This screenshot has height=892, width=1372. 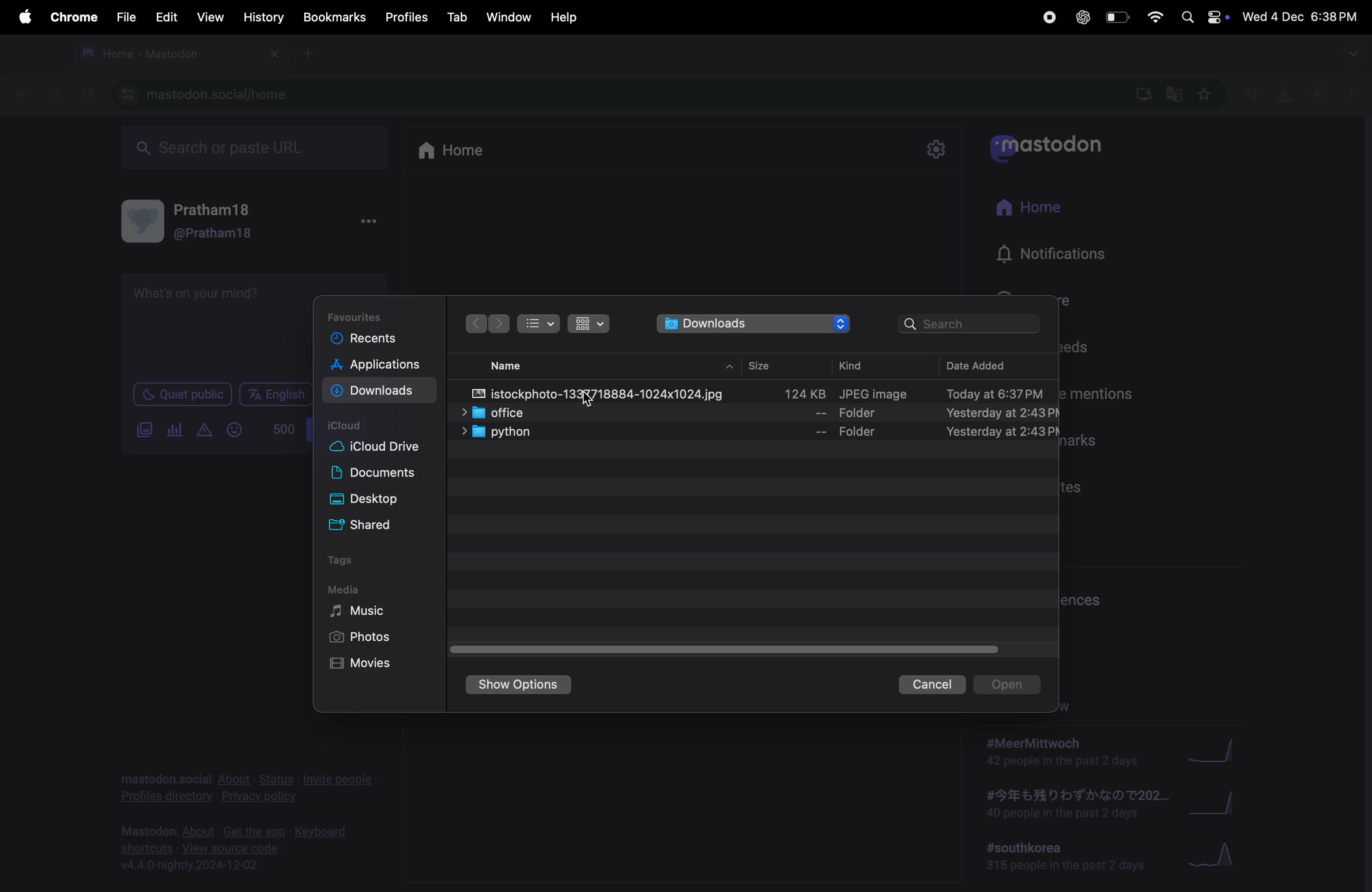 I want to click on options, so click(x=367, y=224).